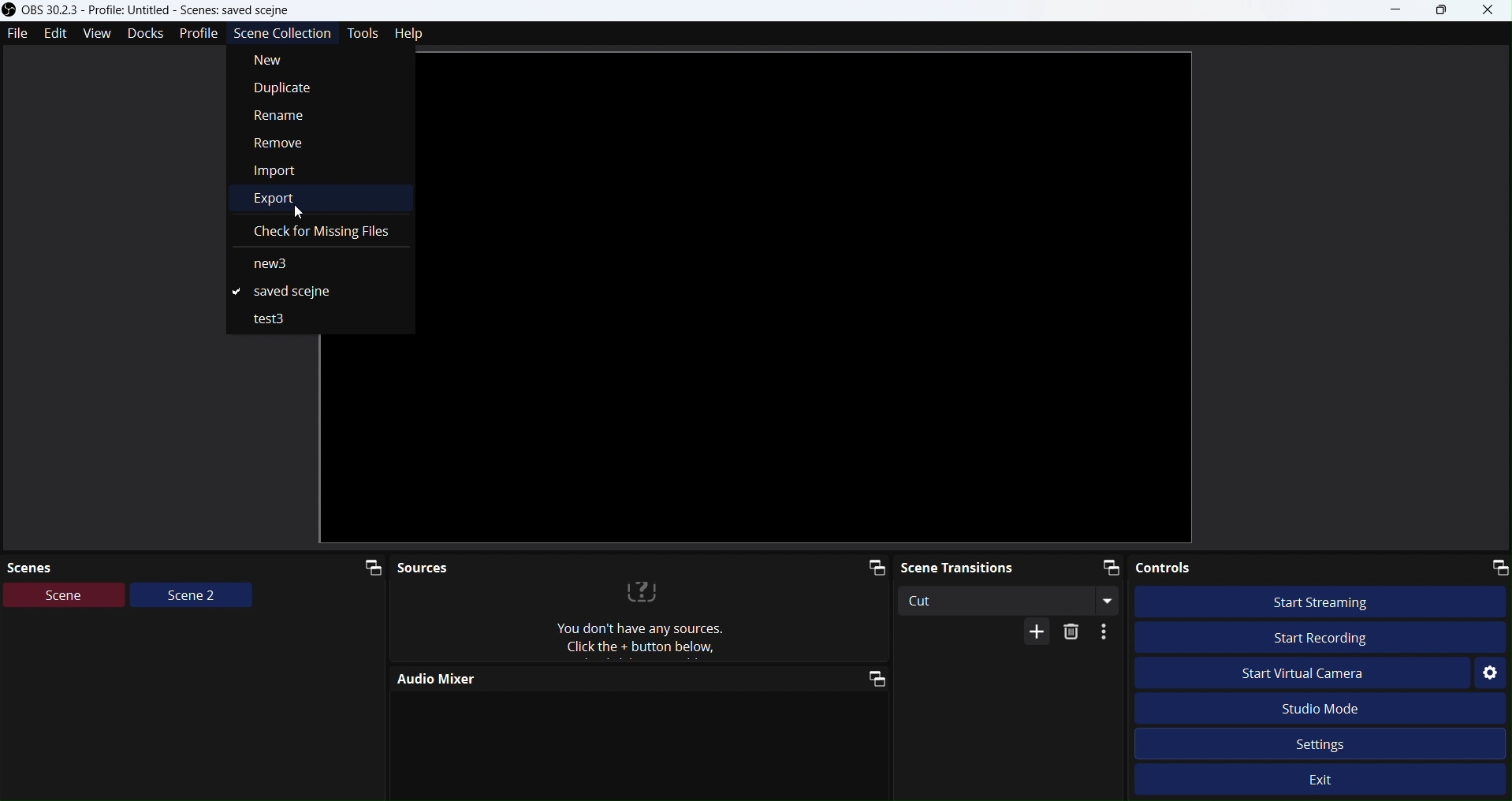 Image resolution: width=1512 pixels, height=801 pixels. I want to click on More, so click(1039, 631).